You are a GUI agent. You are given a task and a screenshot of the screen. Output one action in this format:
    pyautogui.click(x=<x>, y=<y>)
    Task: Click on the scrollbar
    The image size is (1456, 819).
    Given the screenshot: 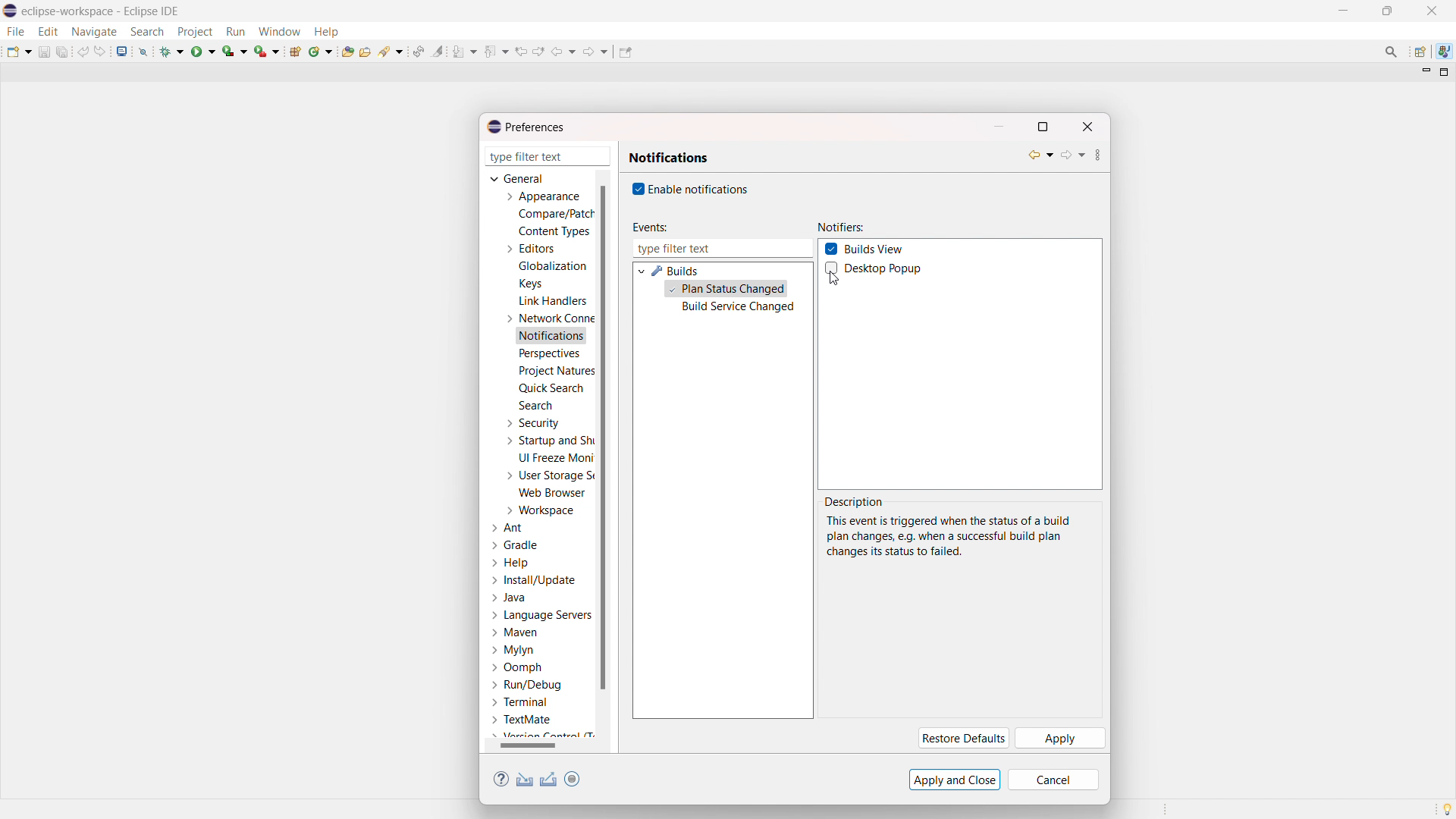 What is the action you would take?
    pyautogui.click(x=538, y=745)
    